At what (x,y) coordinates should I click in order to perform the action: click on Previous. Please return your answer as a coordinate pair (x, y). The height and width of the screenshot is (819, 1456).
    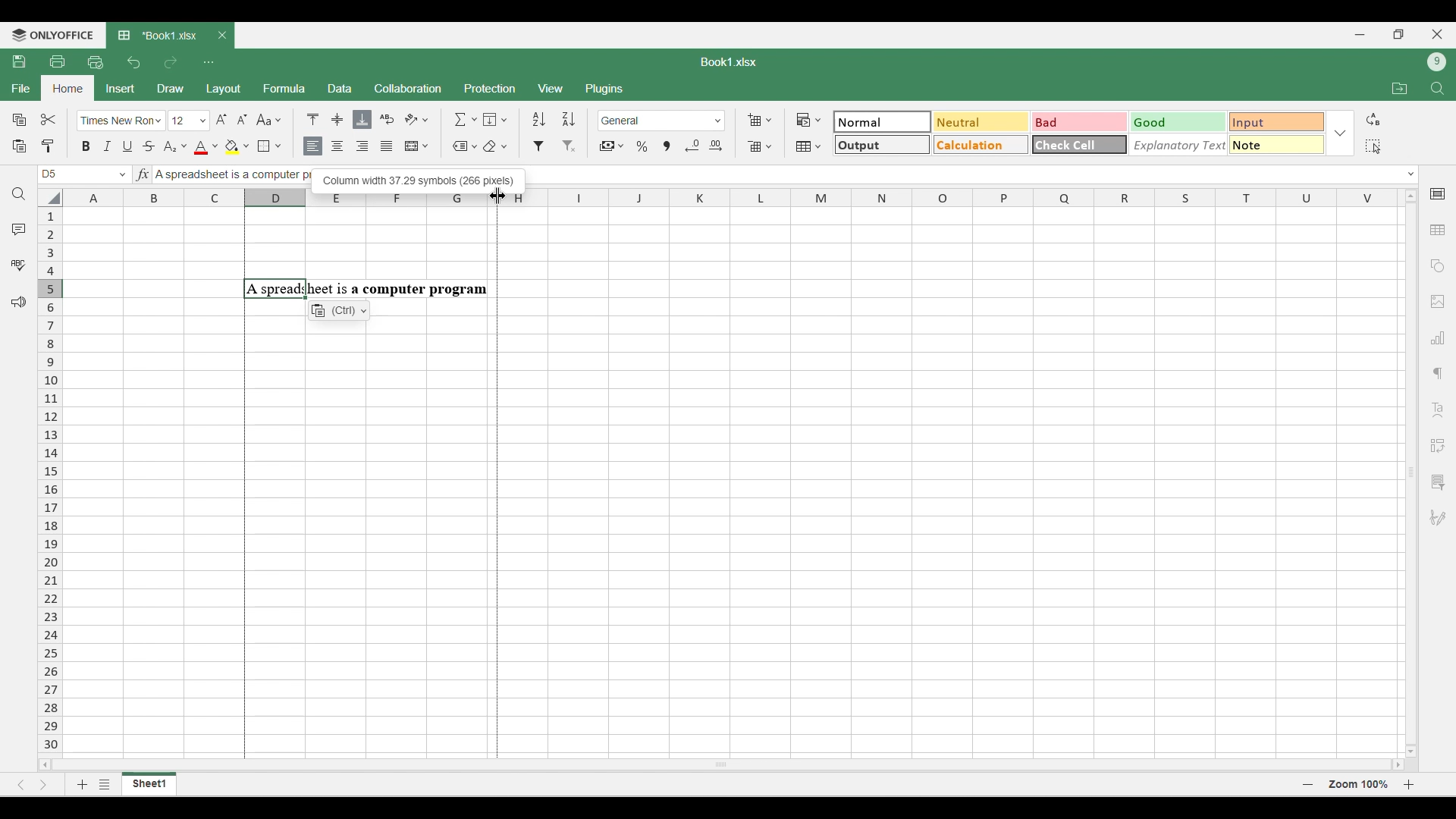
    Looking at the image, I should click on (20, 785).